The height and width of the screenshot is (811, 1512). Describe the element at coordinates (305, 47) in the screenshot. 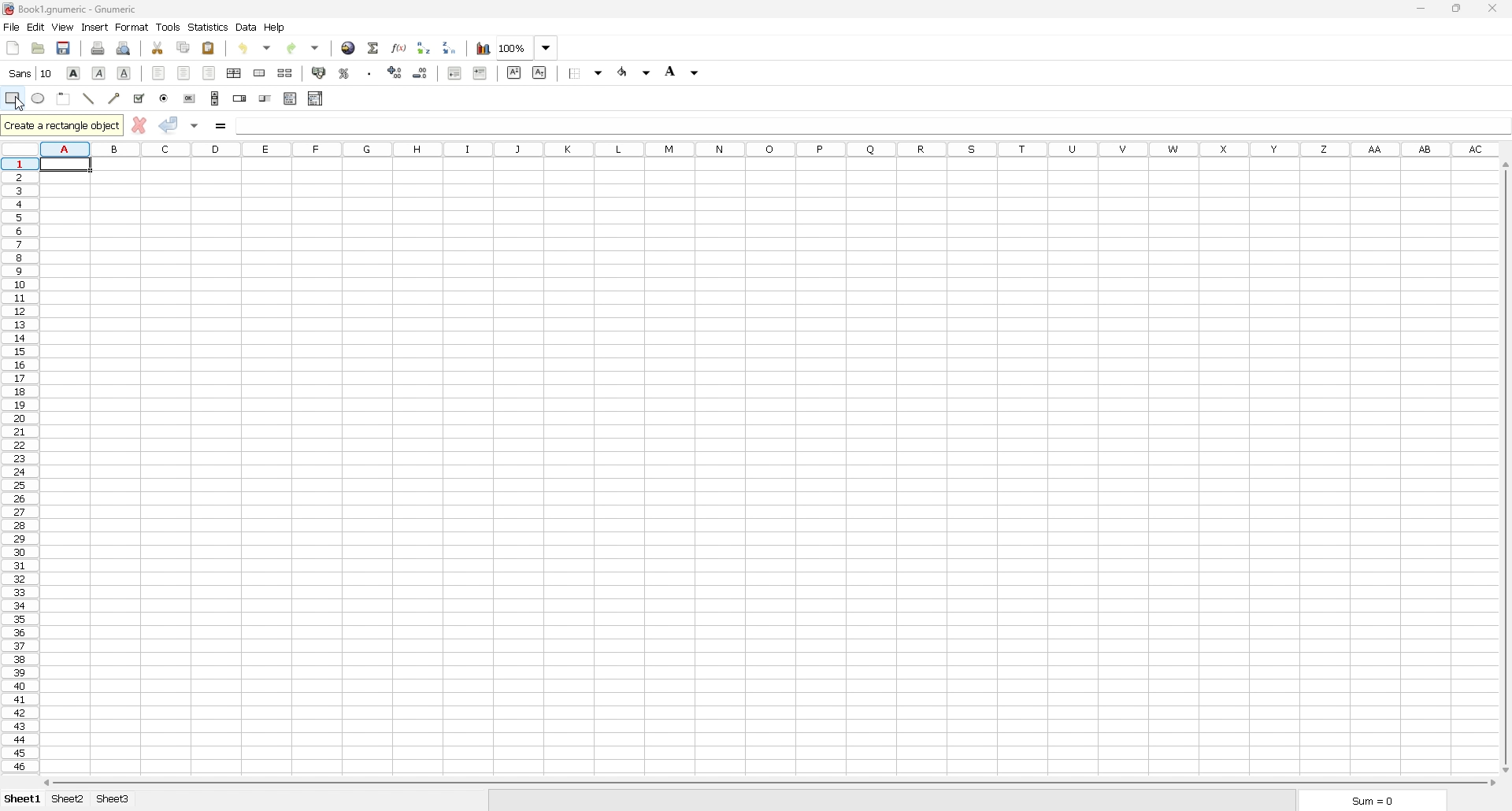

I see `redo` at that location.